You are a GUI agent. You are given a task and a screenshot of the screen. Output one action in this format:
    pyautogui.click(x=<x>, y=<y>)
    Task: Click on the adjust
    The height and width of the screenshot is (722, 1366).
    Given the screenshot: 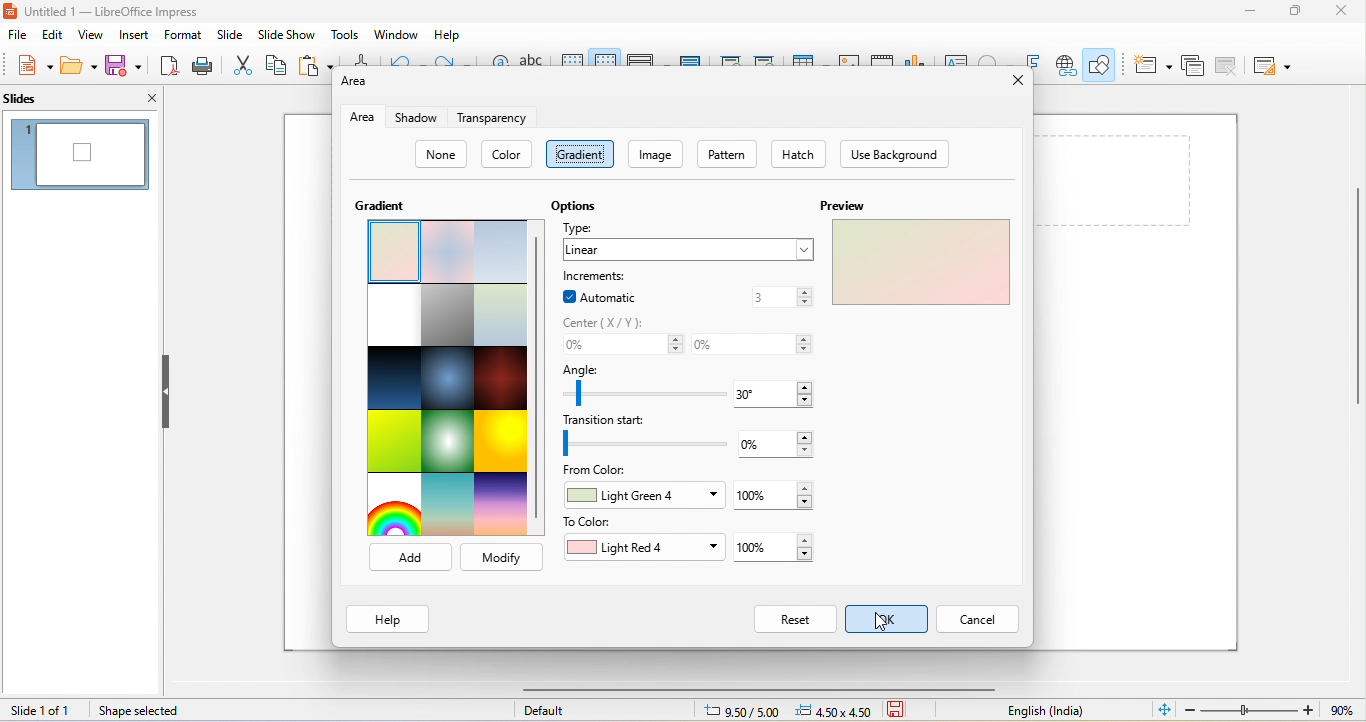 What is the action you would take?
    pyautogui.click(x=805, y=545)
    